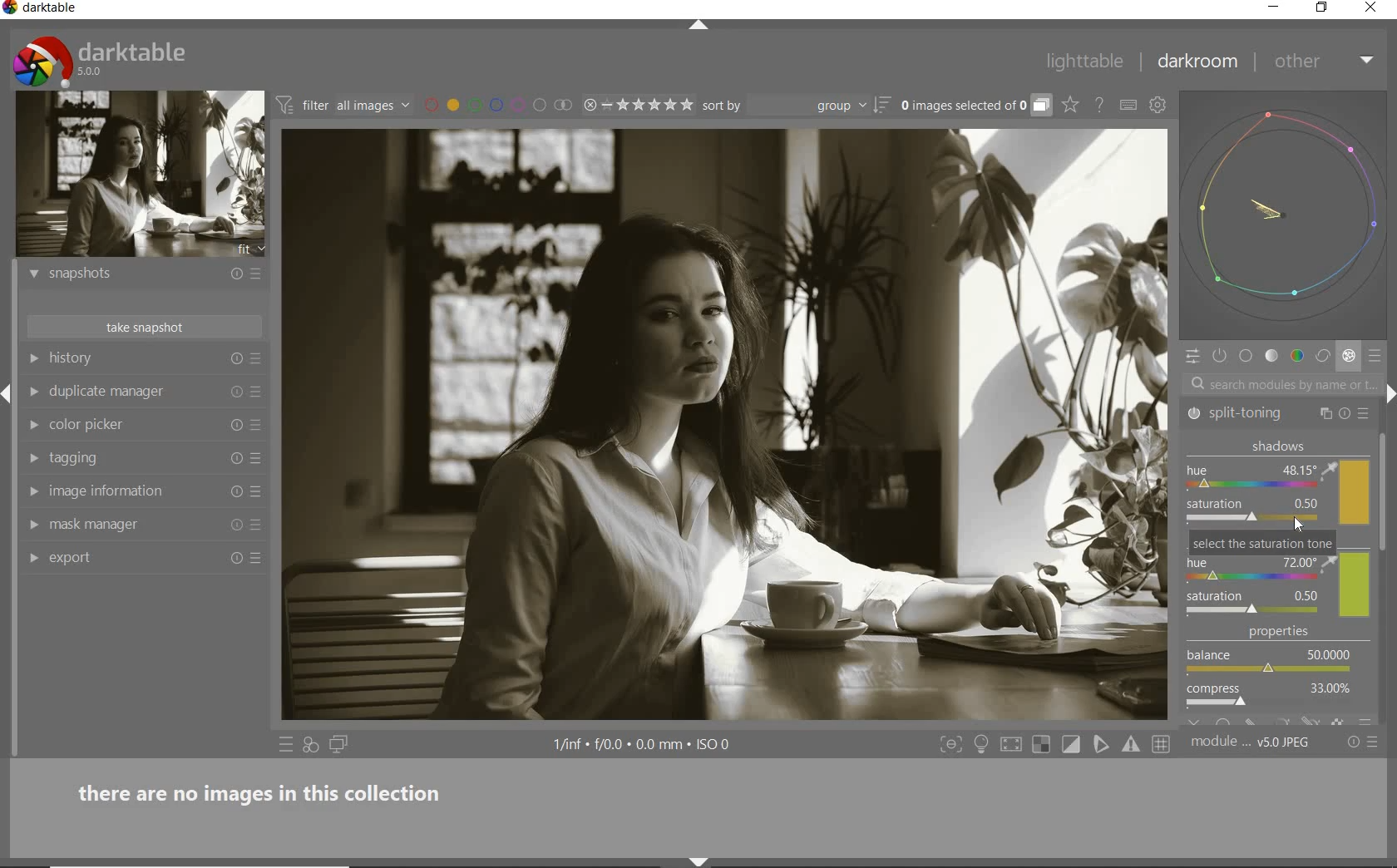 The image size is (1397, 868). Describe the element at coordinates (1246, 358) in the screenshot. I see `base` at that location.